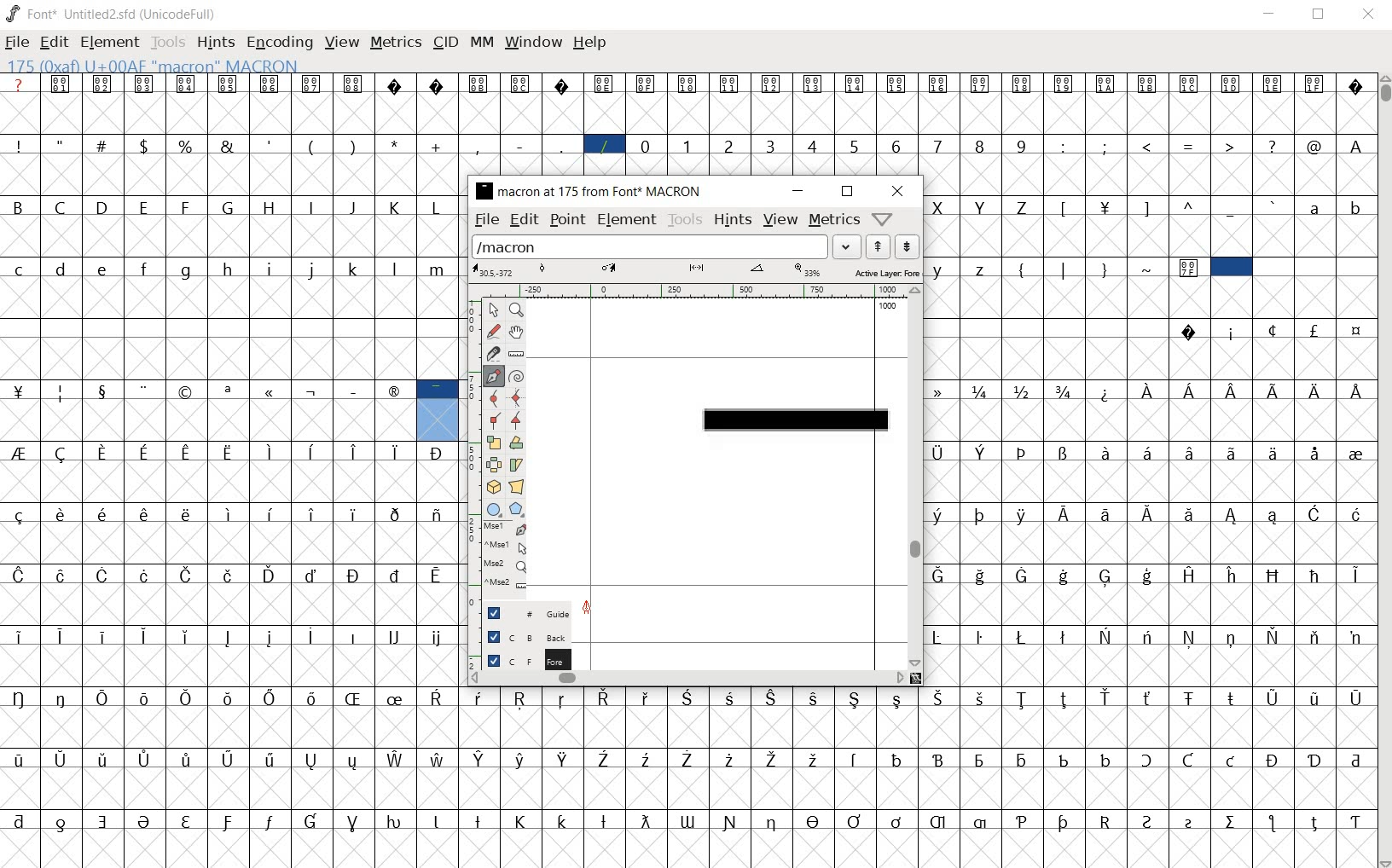 This screenshot has width=1392, height=868. I want to click on Symbol, so click(313, 451).